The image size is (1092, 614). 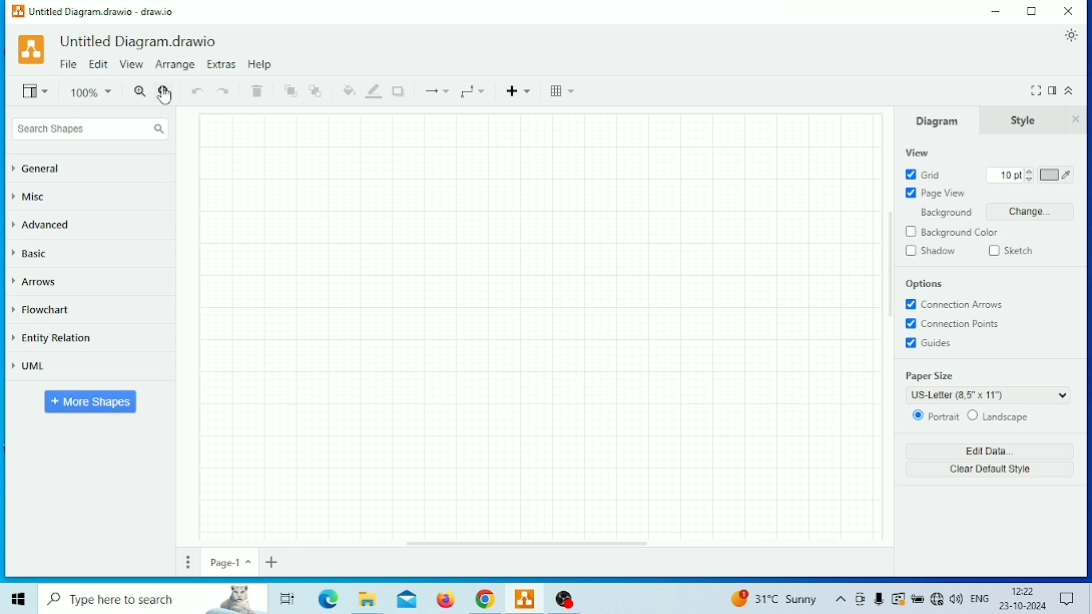 What do you see at coordinates (328, 599) in the screenshot?
I see `Microsoft Edge` at bounding box center [328, 599].